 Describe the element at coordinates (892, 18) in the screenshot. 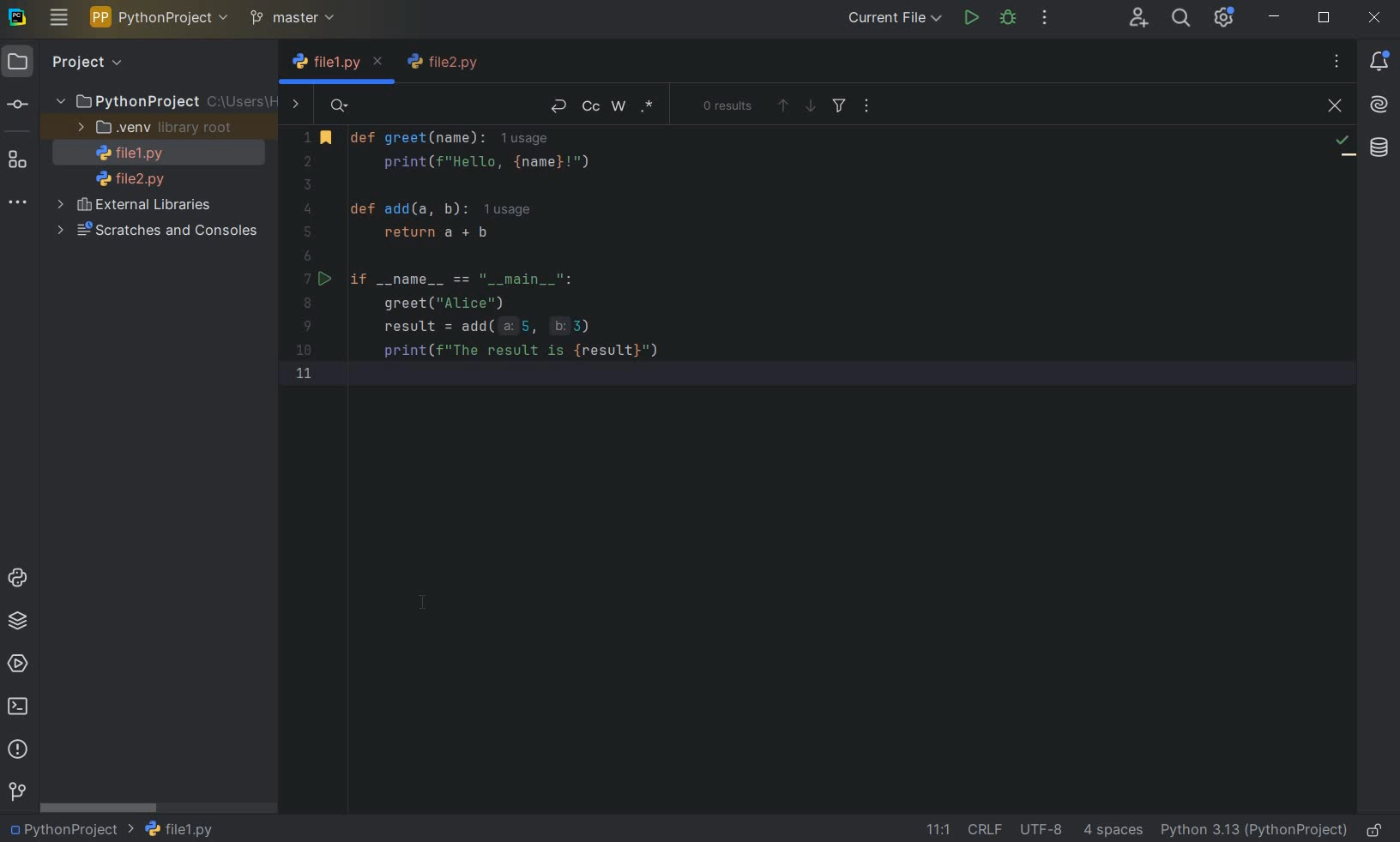

I see `CURRENT FILE` at that location.